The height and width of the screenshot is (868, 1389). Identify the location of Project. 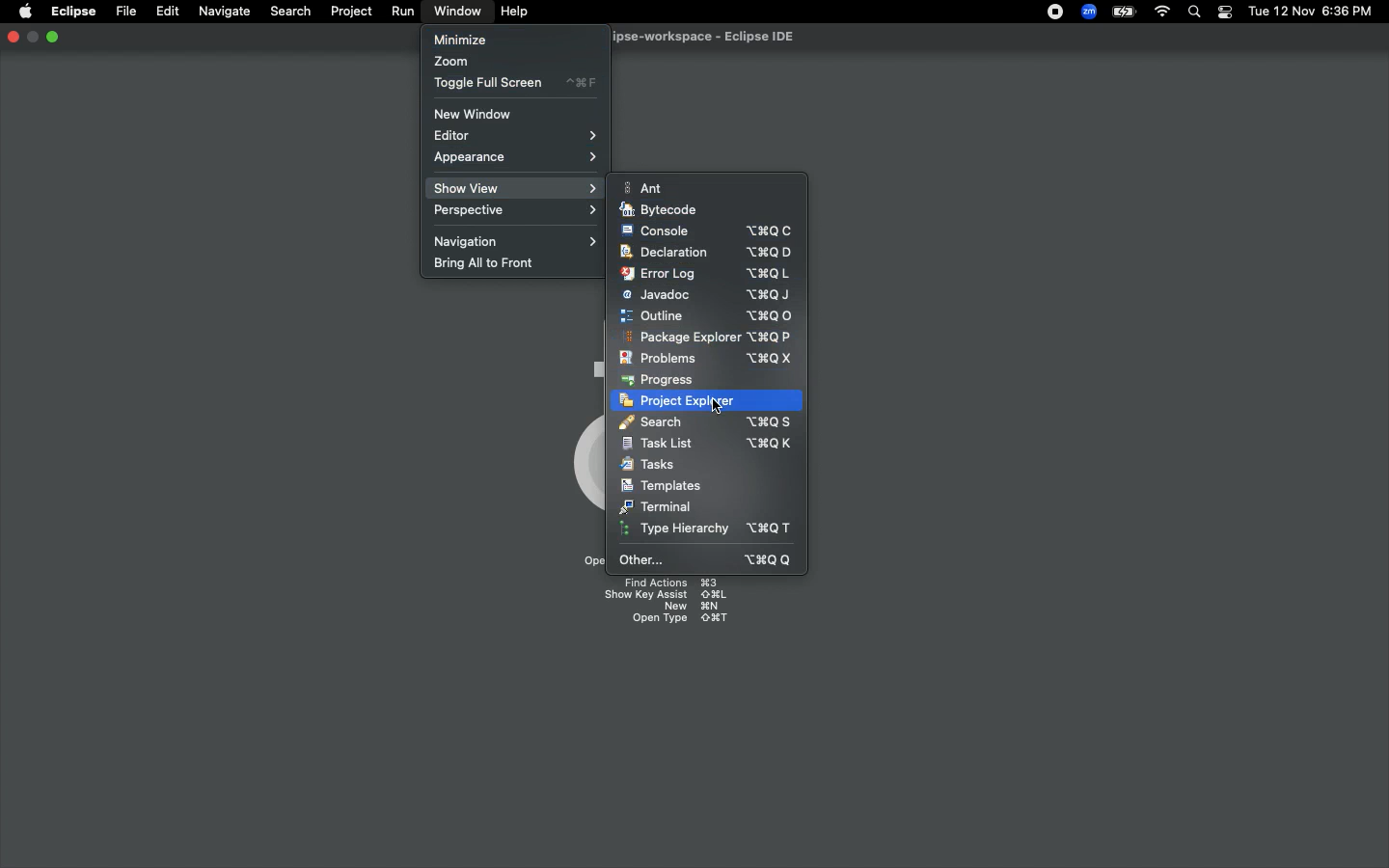
(351, 12).